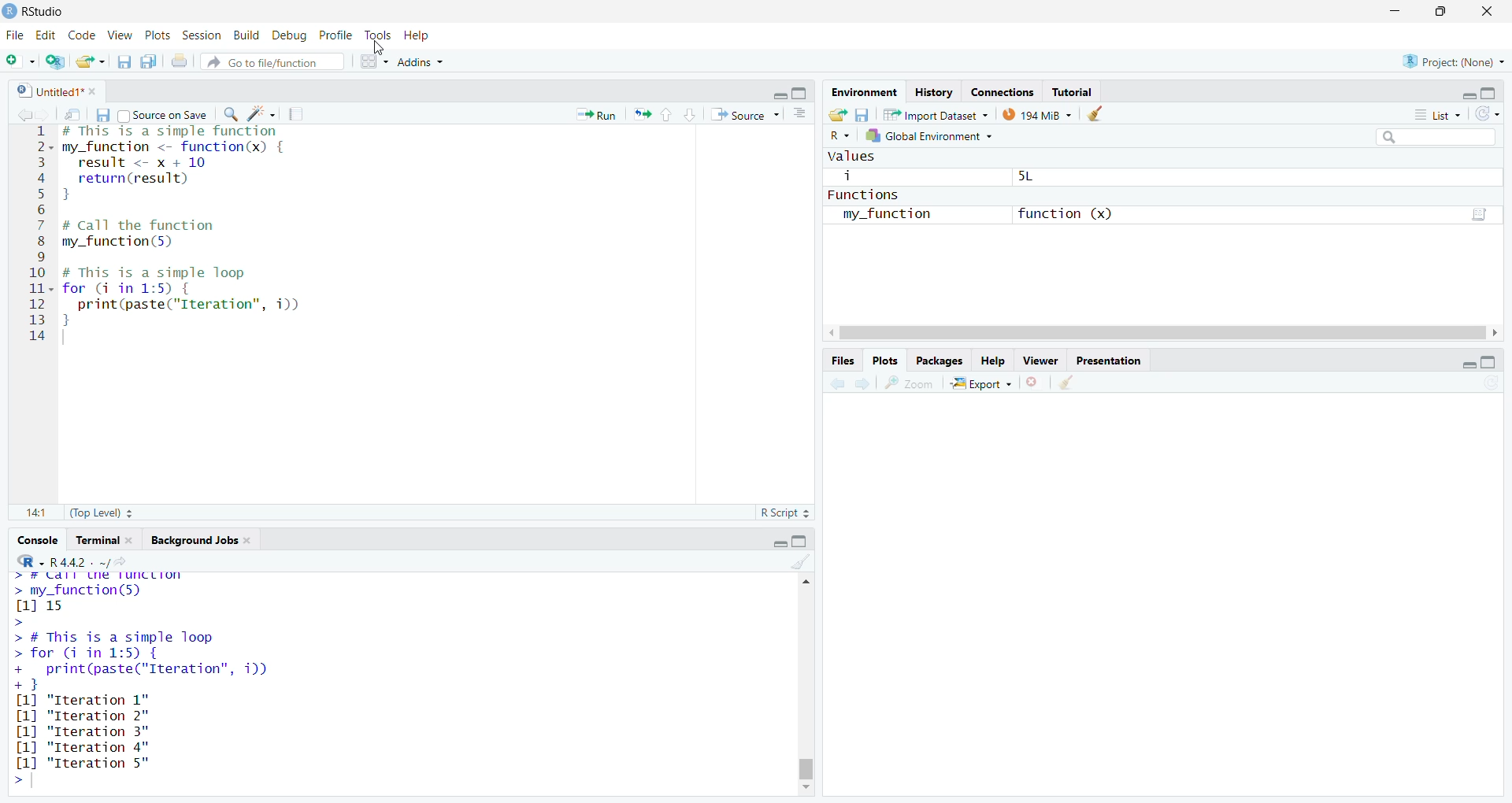  Describe the element at coordinates (1036, 178) in the screenshot. I see `5L` at that location.